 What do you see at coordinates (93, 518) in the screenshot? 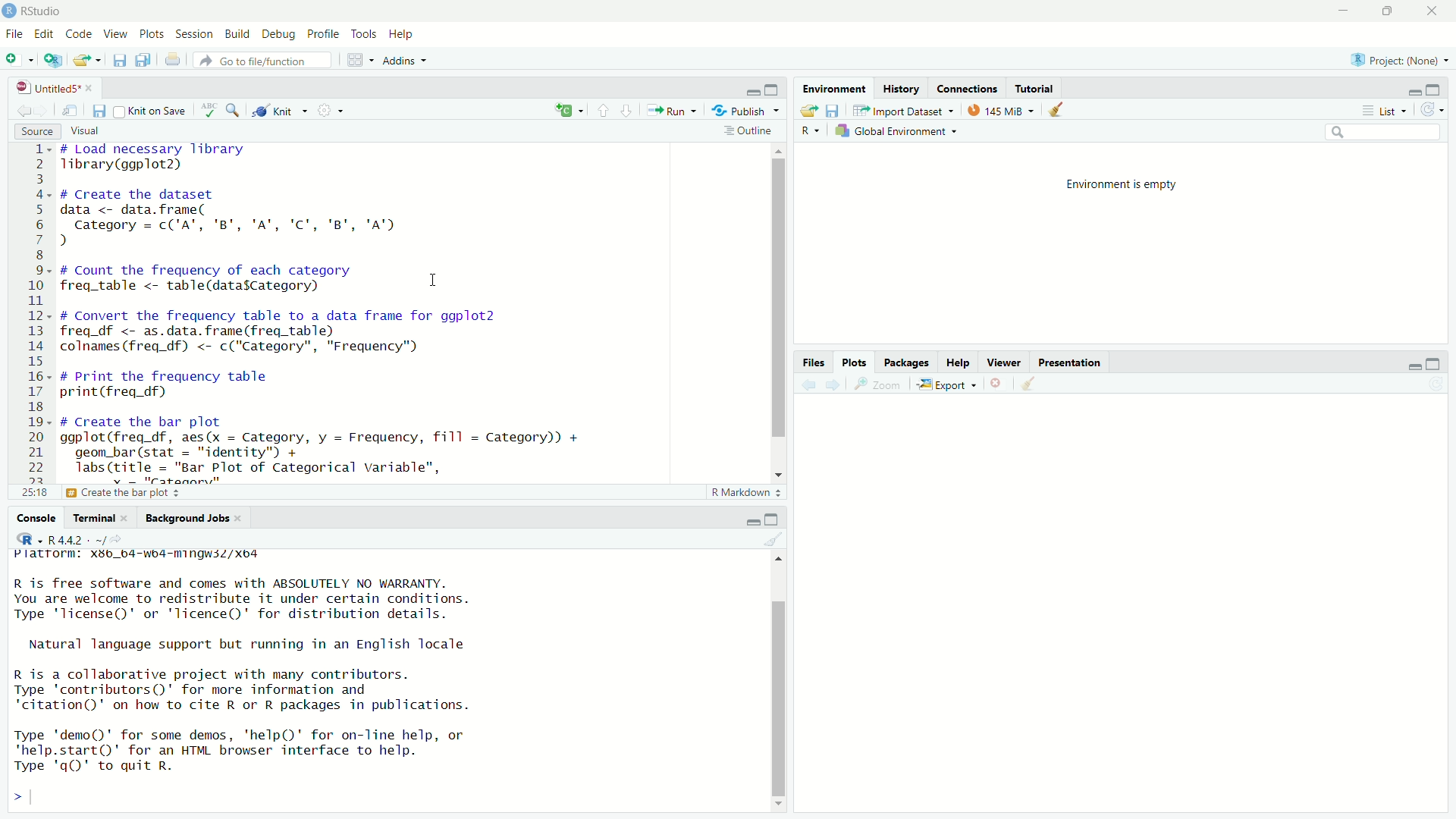
I see `Terminal` at bounding box center [93, 518].